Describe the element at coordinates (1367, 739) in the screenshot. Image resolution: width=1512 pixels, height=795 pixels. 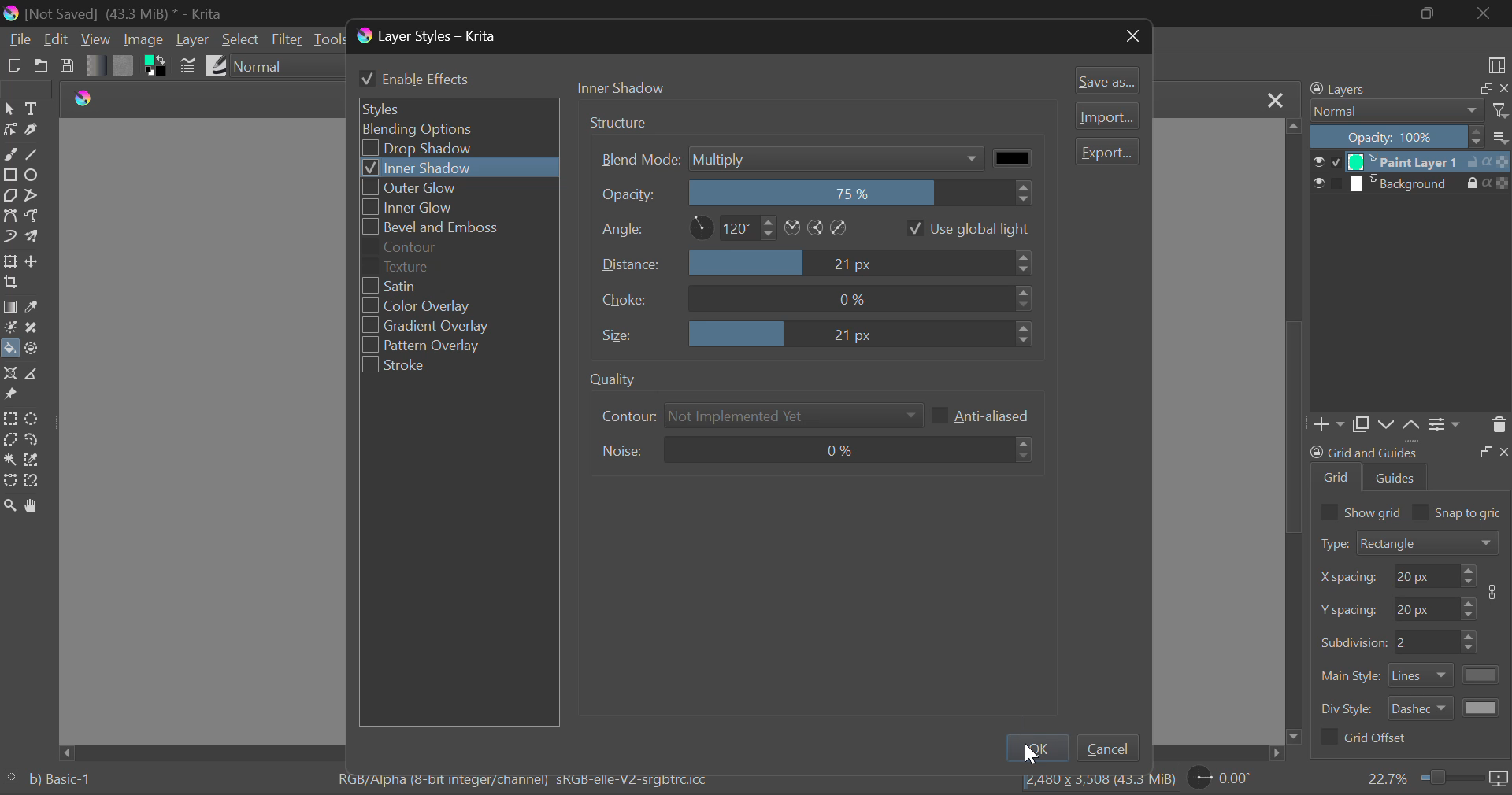
I see `Grid Offset` at that location.